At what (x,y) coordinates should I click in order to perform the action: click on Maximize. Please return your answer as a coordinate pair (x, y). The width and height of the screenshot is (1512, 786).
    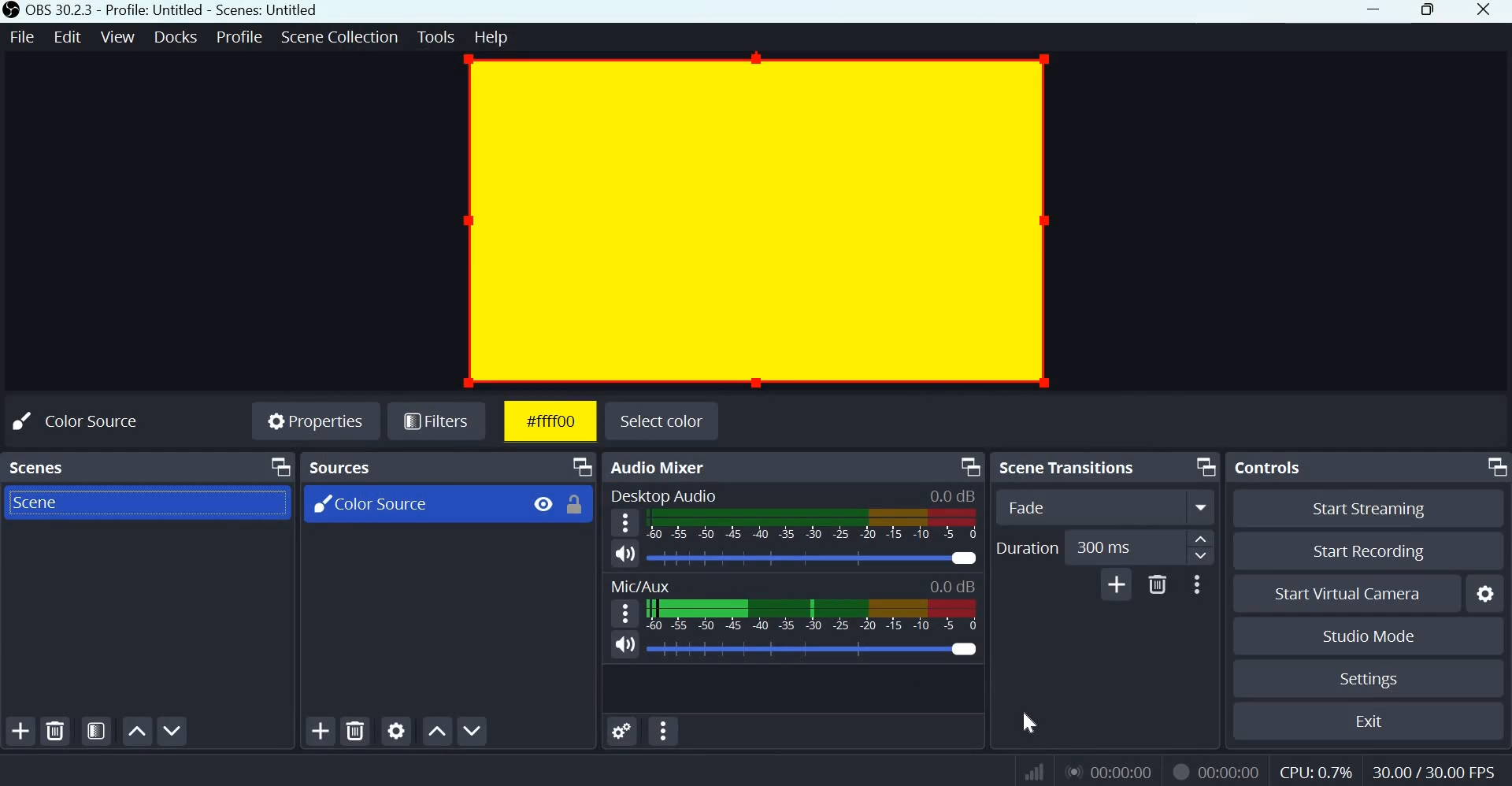
    Looking at the image, I should click on (1428, 11).